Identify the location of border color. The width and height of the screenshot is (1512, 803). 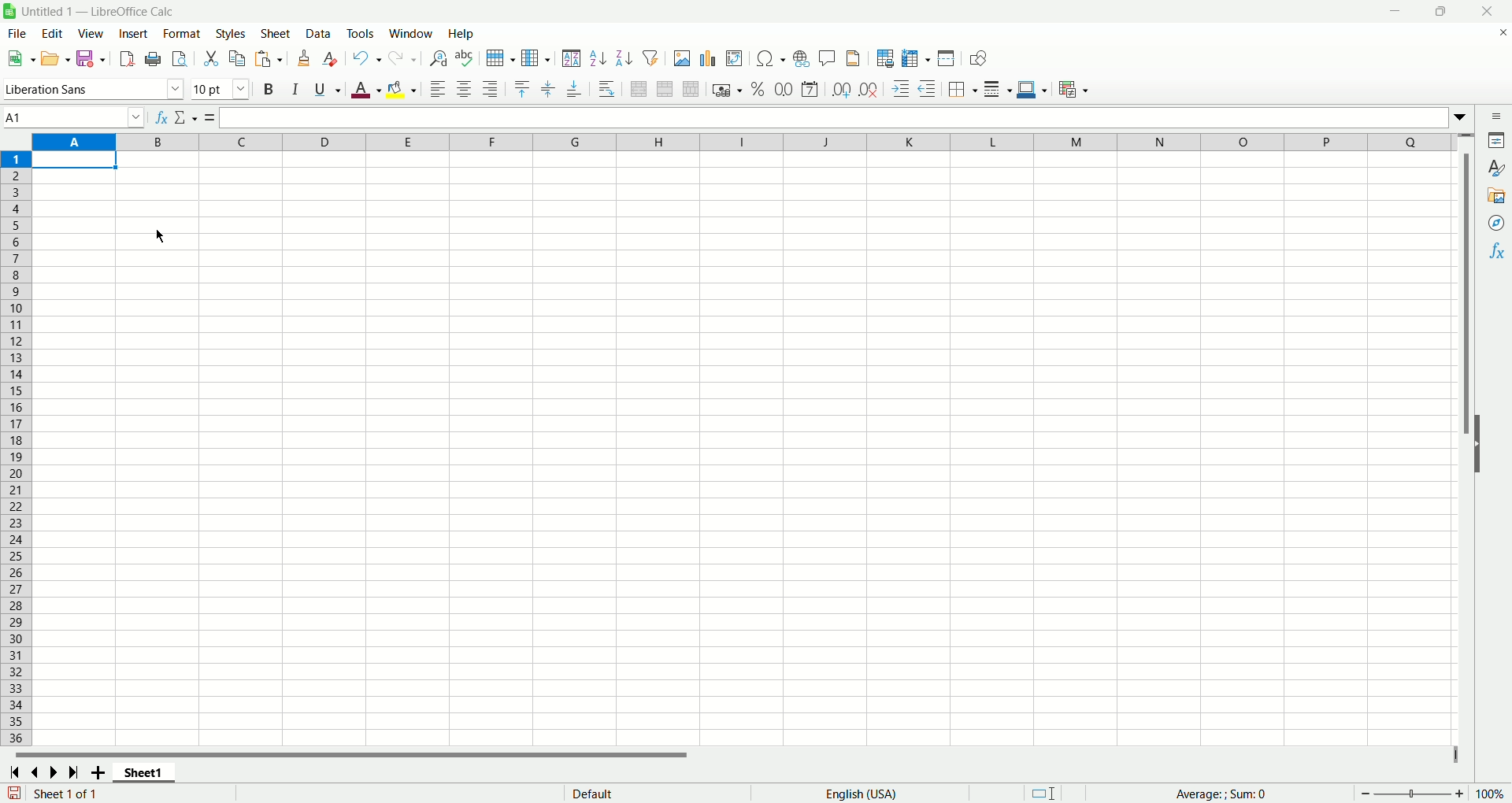
(1032, 91).